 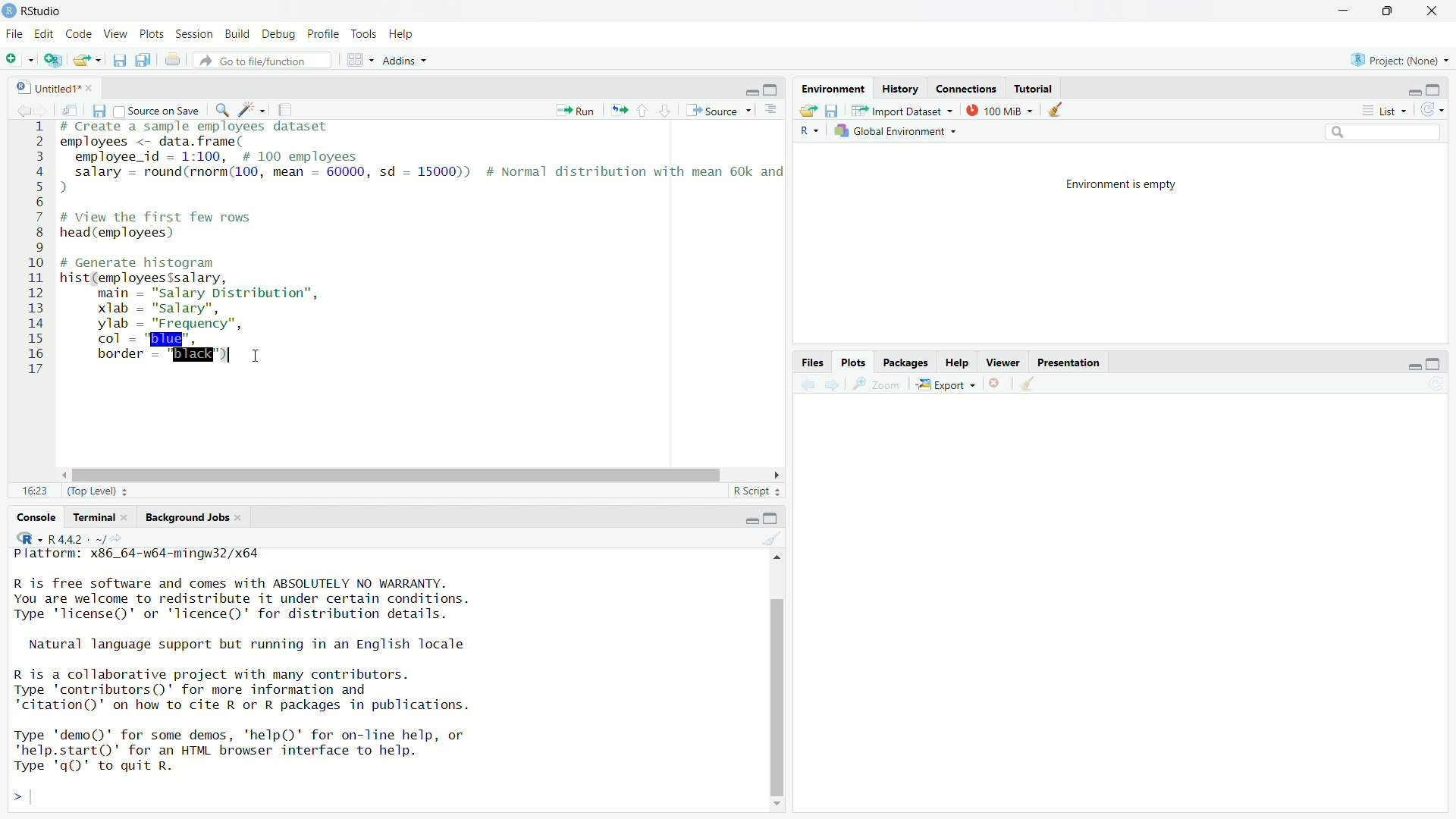 I want to click on more, so click(x=772, y=110).